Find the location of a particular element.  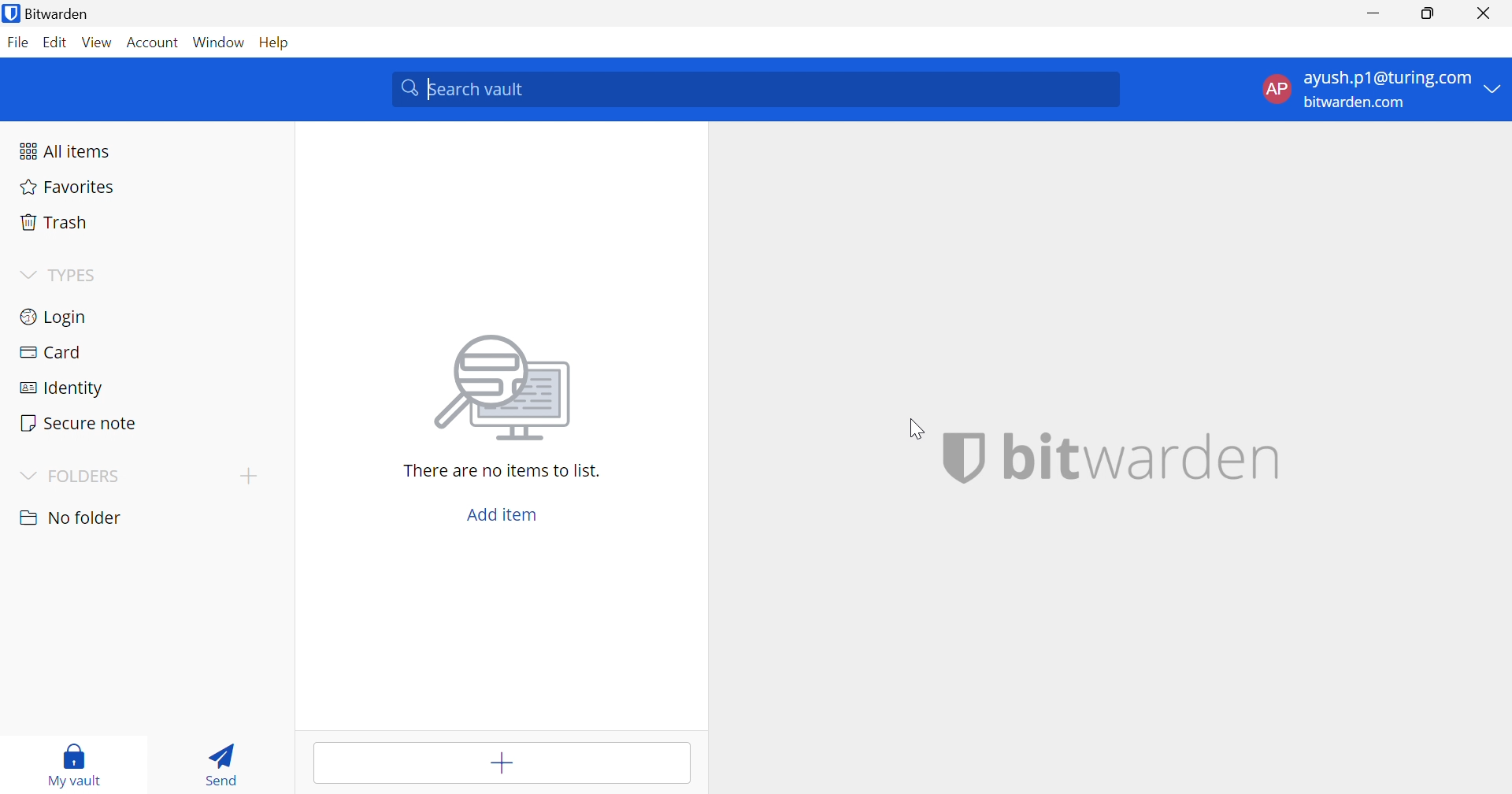

Trash is located at coordinates (51, 222).